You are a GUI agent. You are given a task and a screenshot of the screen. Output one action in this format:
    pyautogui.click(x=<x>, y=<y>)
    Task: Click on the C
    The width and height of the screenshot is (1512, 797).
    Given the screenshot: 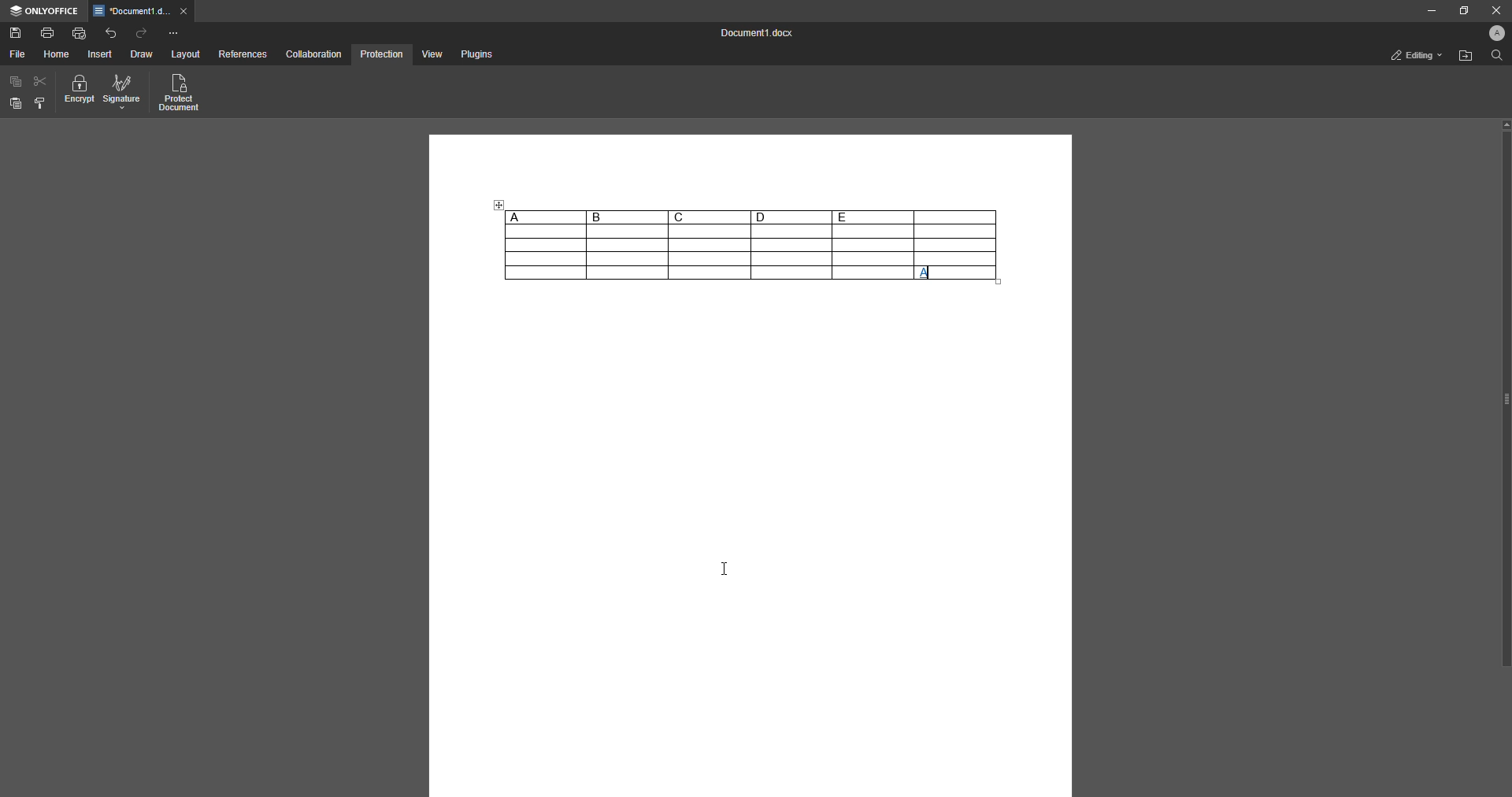 What is the action you would take?
    pyautogui.click(x=709, y=217)
    